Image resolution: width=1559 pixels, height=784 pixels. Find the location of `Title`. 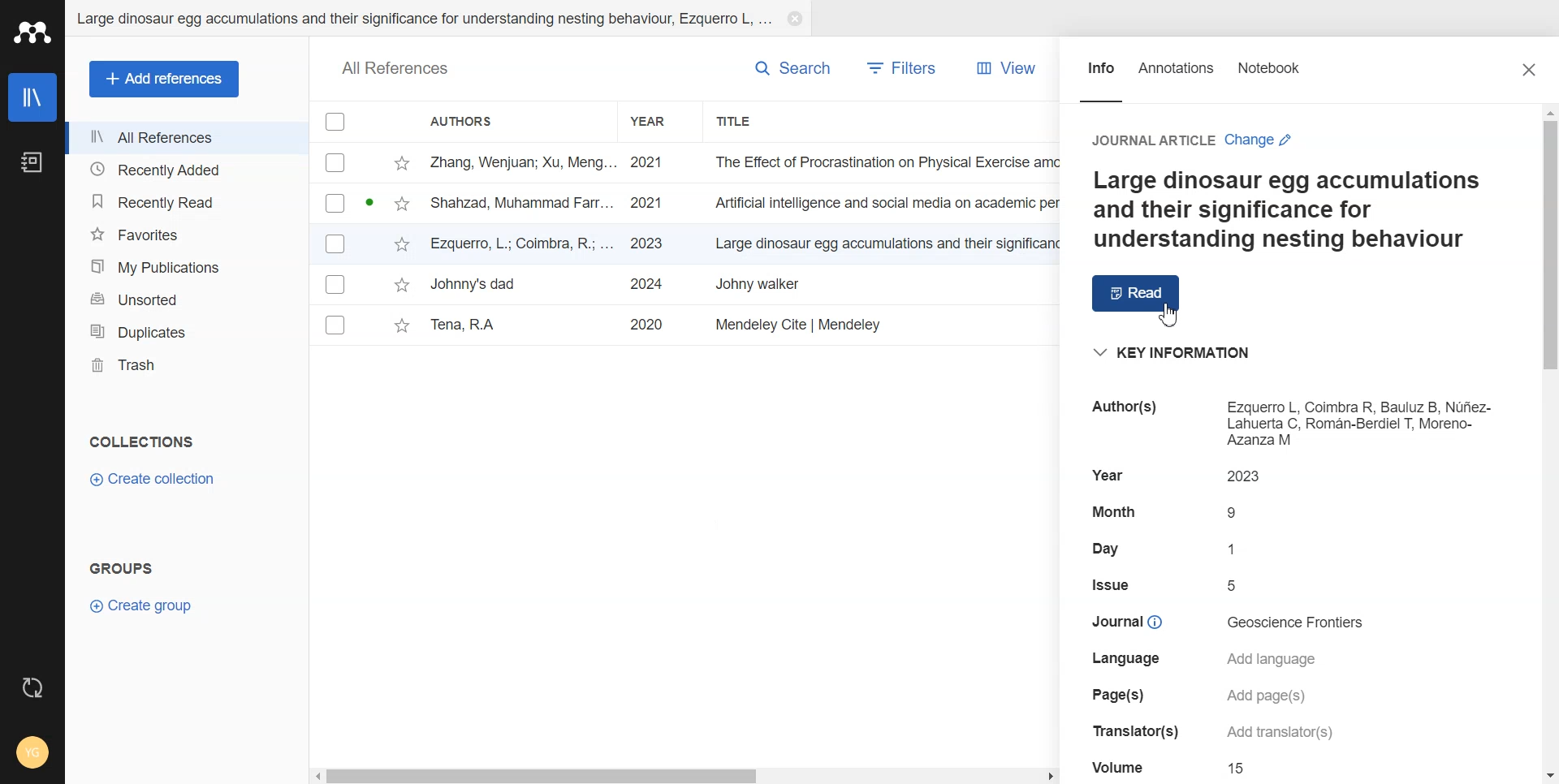

Title is located at coordinates (741, 122).